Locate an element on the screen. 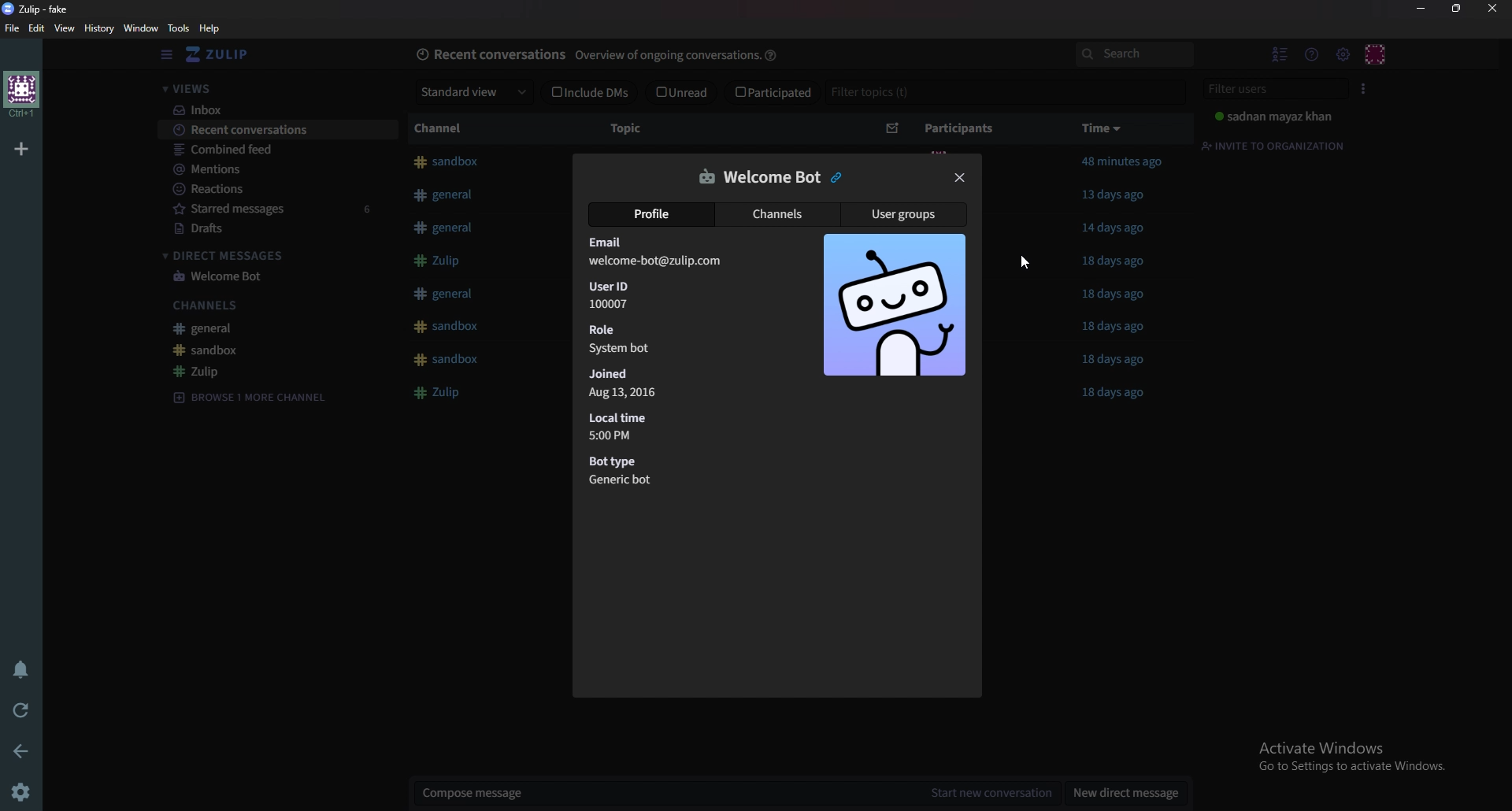 This screenshot has width=1512, height=811. 18 days ago is located at coordinates (1114, 361).